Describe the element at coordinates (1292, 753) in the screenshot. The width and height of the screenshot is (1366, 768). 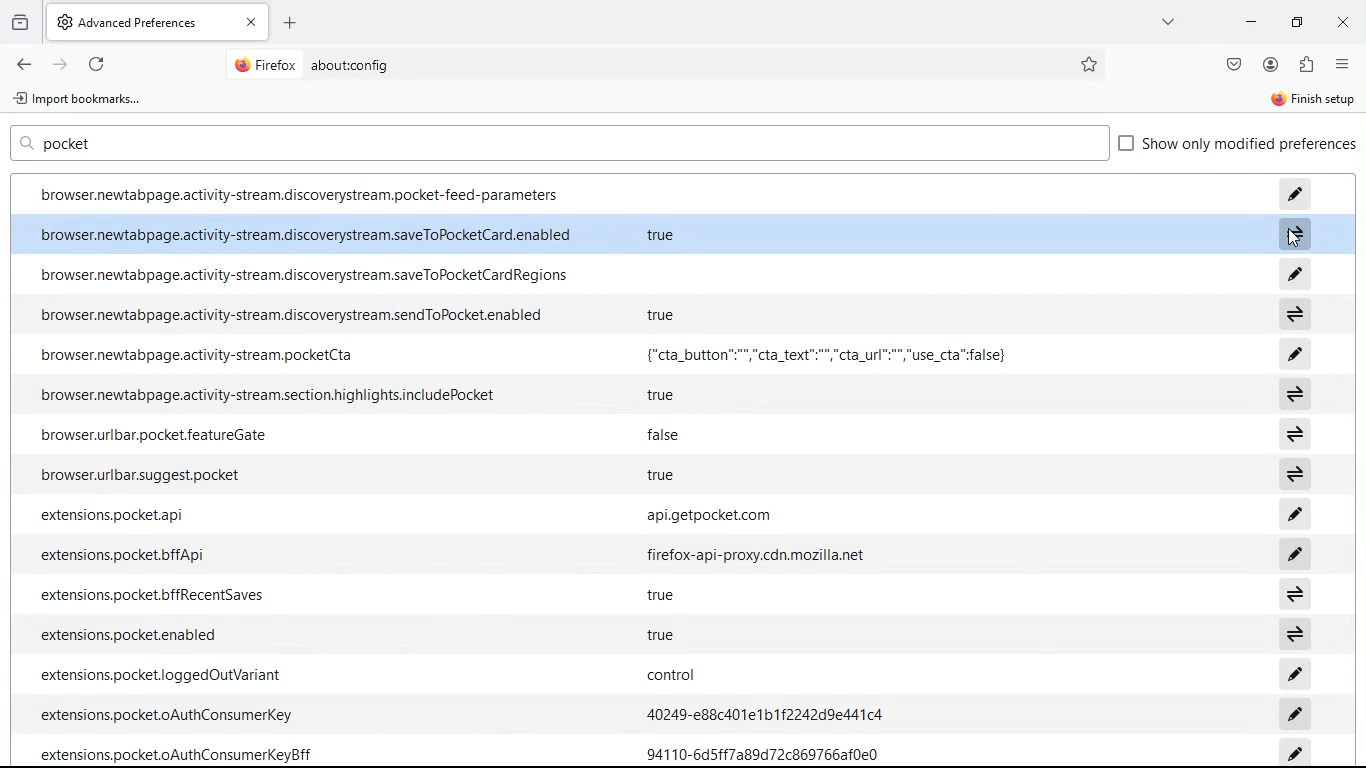
I see `edit` at that location.